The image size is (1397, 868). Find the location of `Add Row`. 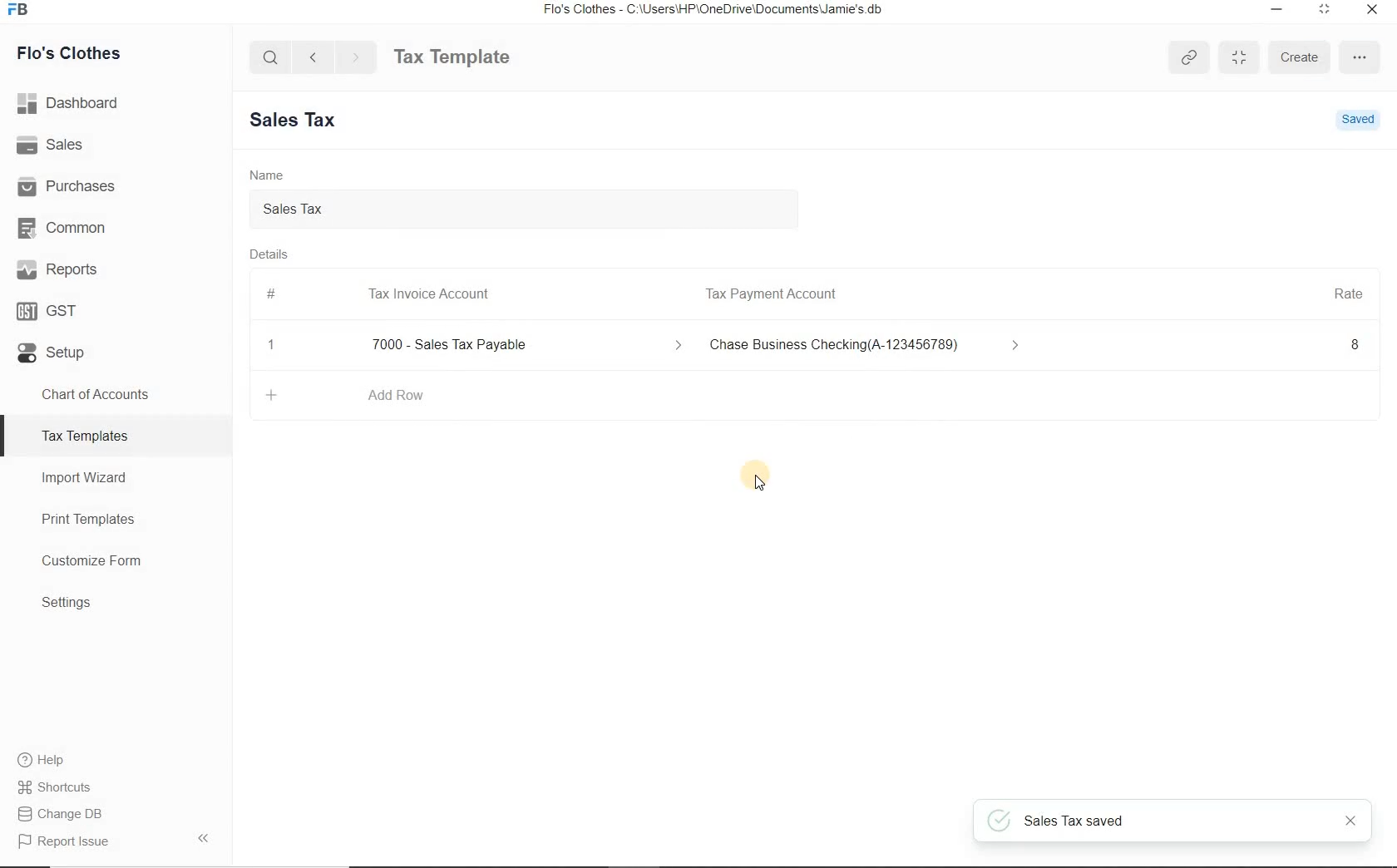

Add Row is located at coordinates (396, 395).